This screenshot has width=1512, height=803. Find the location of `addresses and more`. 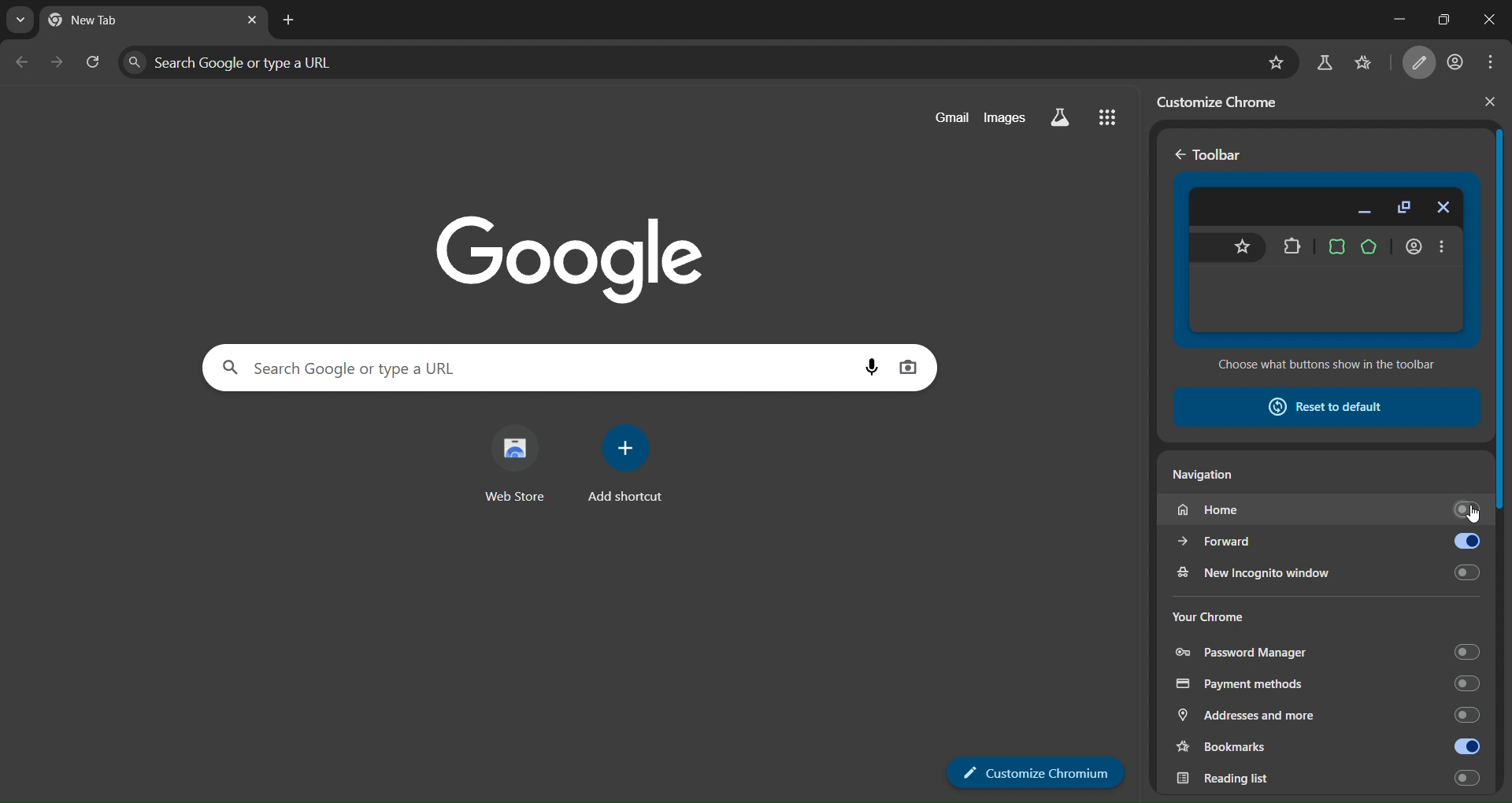

addresses and more is located at coordinates (1327, 716).